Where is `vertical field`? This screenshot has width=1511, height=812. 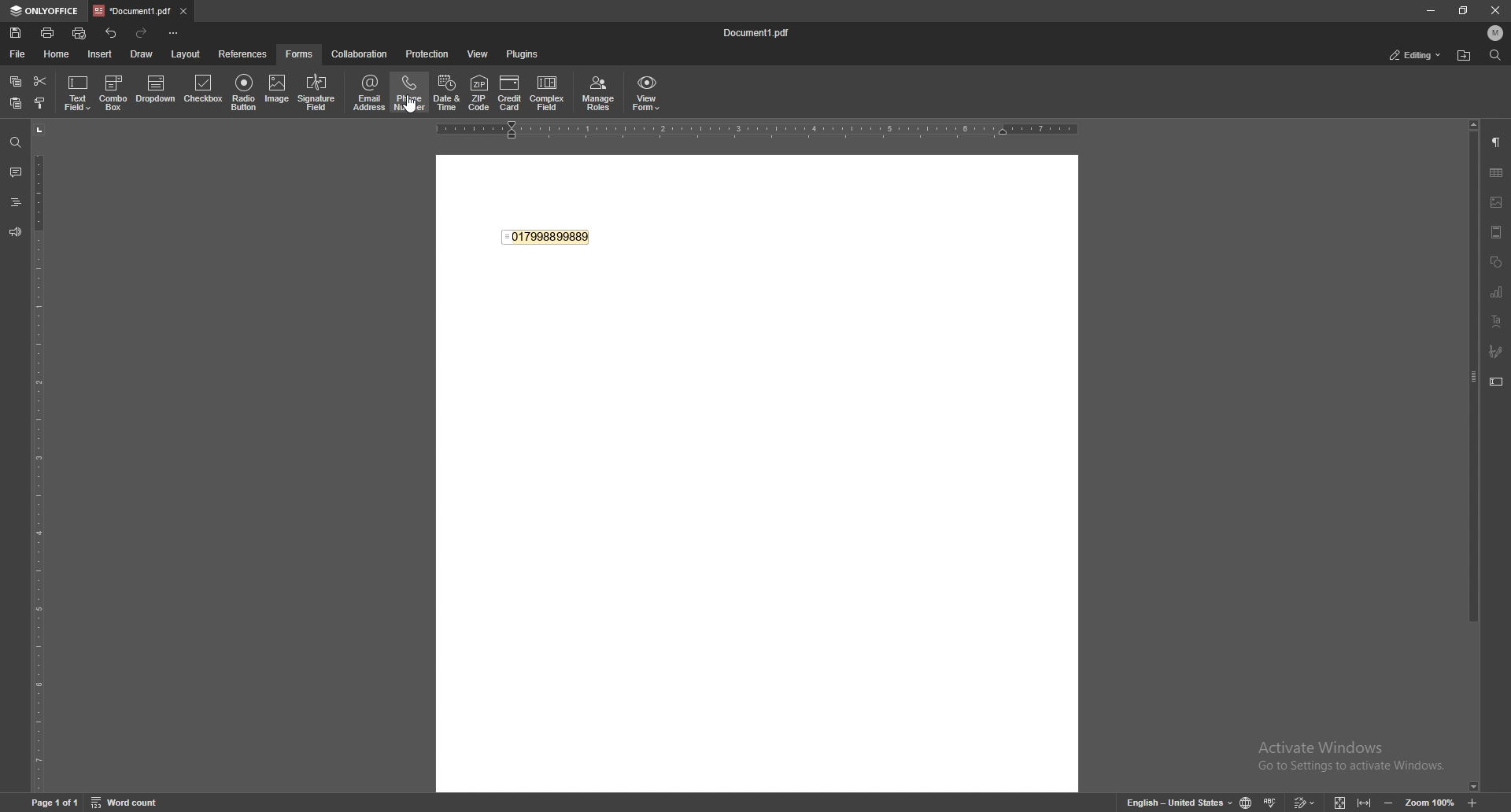
vertical field is located at coordinates (38, 456).